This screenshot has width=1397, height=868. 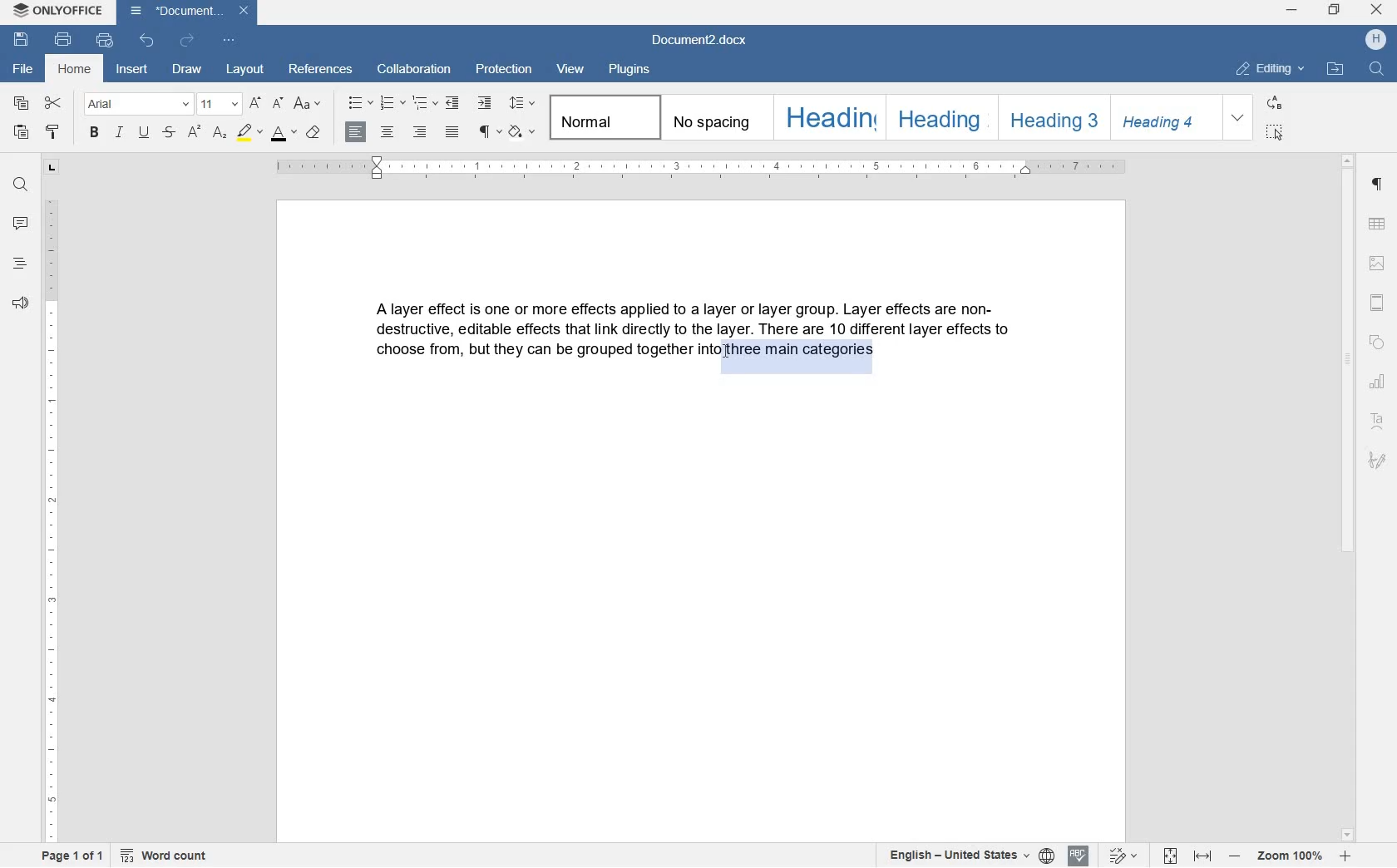 What do you see at coordinates (121, 135) in the screenshot?
I see `italic` at bounding box center [121, 135].